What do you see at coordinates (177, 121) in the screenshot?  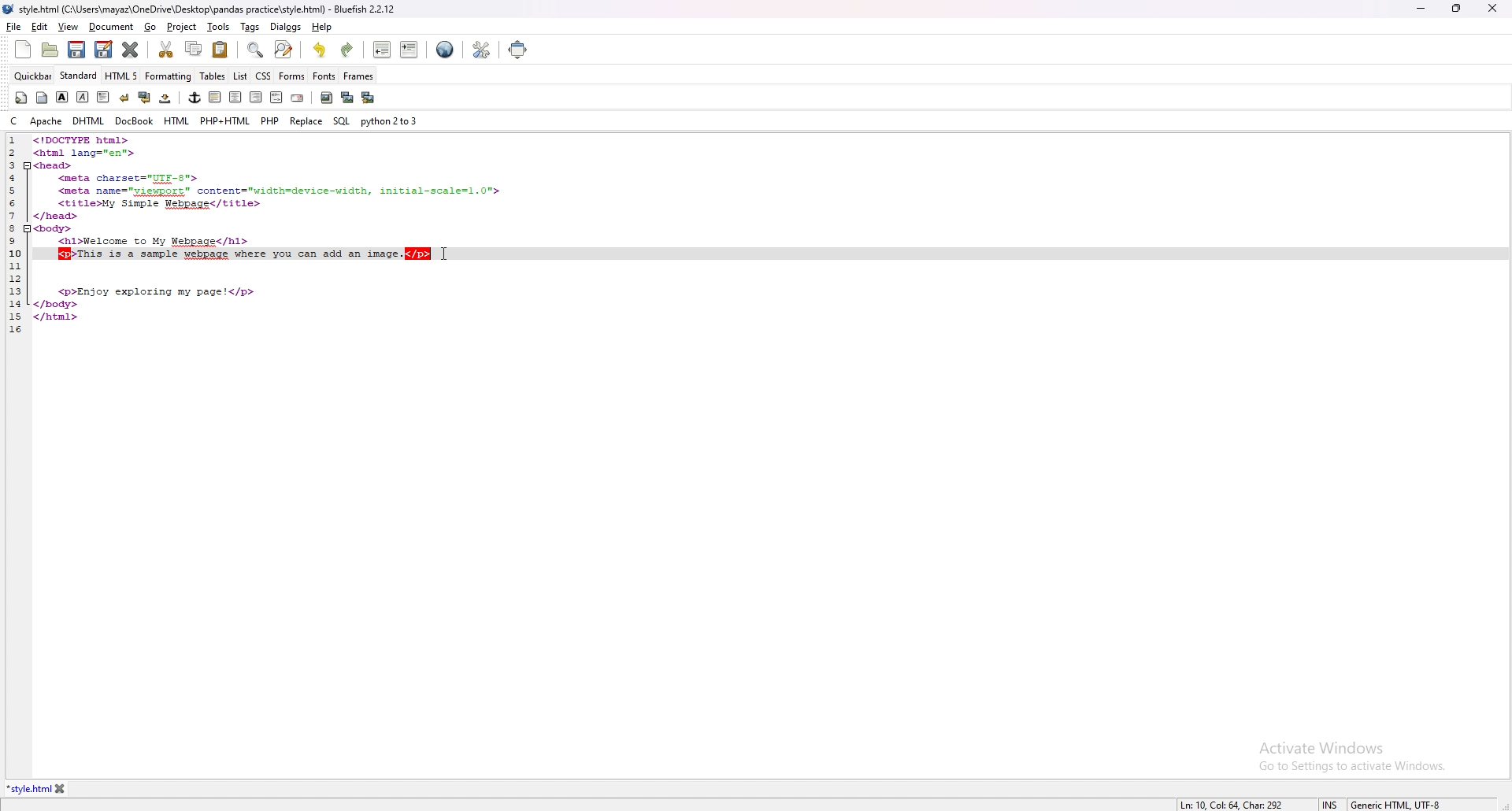 I see `html` at bounding box center [177, 121].